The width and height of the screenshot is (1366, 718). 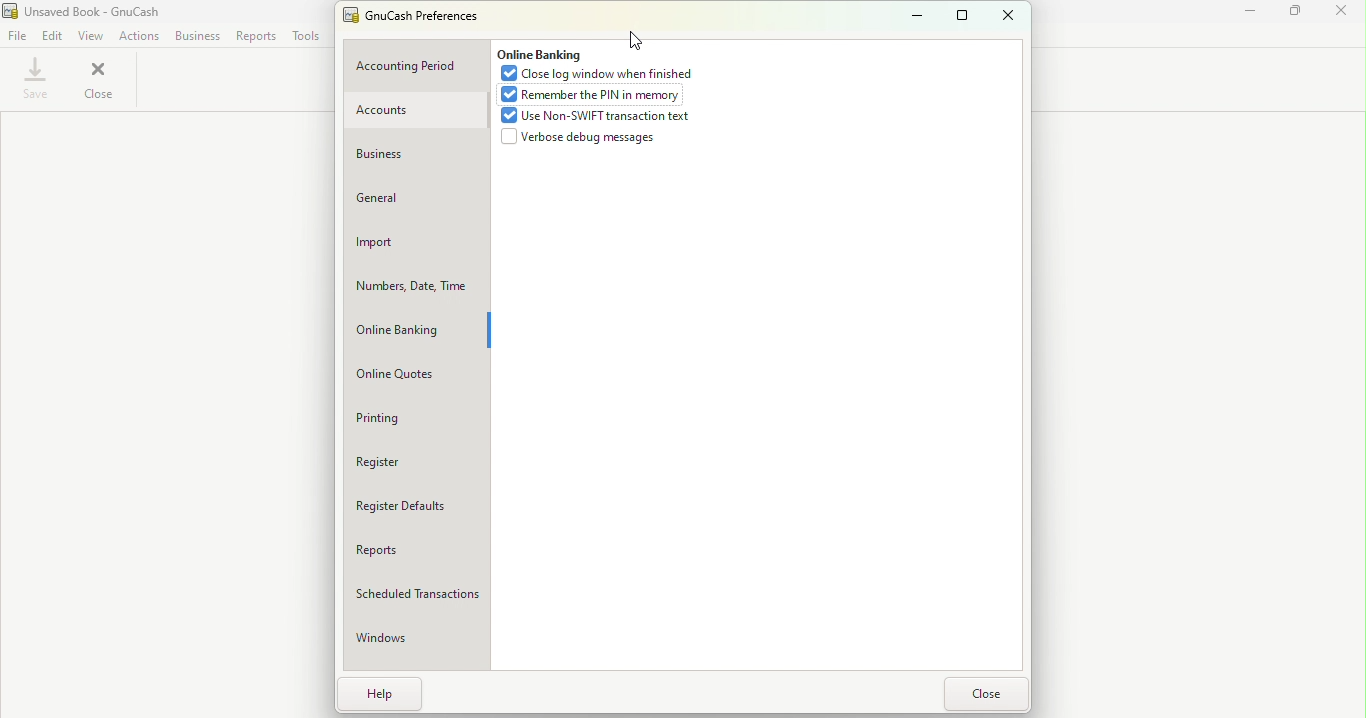 What do you see at coordinates (402, 154) in the screenshot?
I see `Business` at bounding box center [402, 154].